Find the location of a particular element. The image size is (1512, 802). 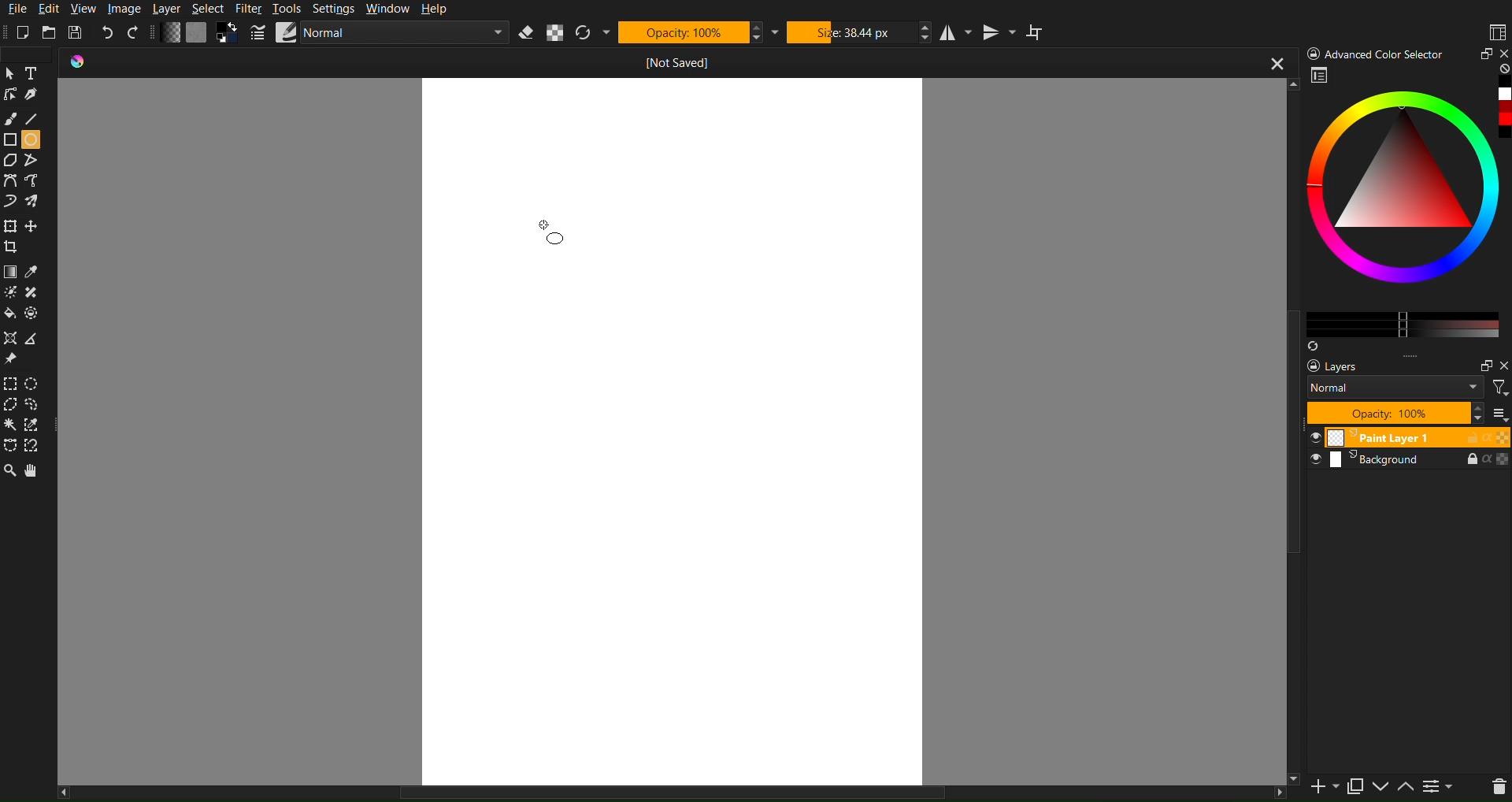

View is located at coordinates (85, 9).